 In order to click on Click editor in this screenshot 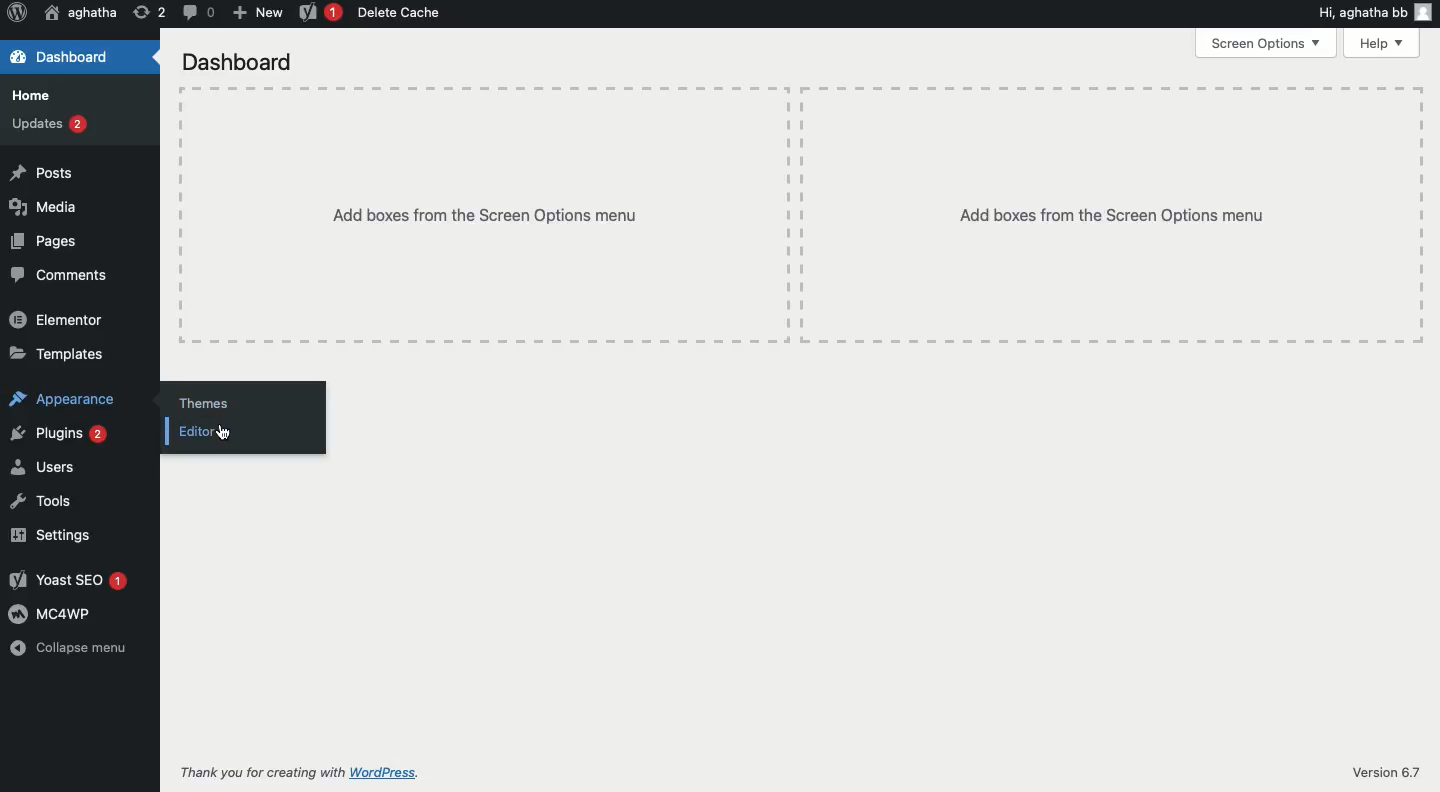, I will do `click(216, 434)`.